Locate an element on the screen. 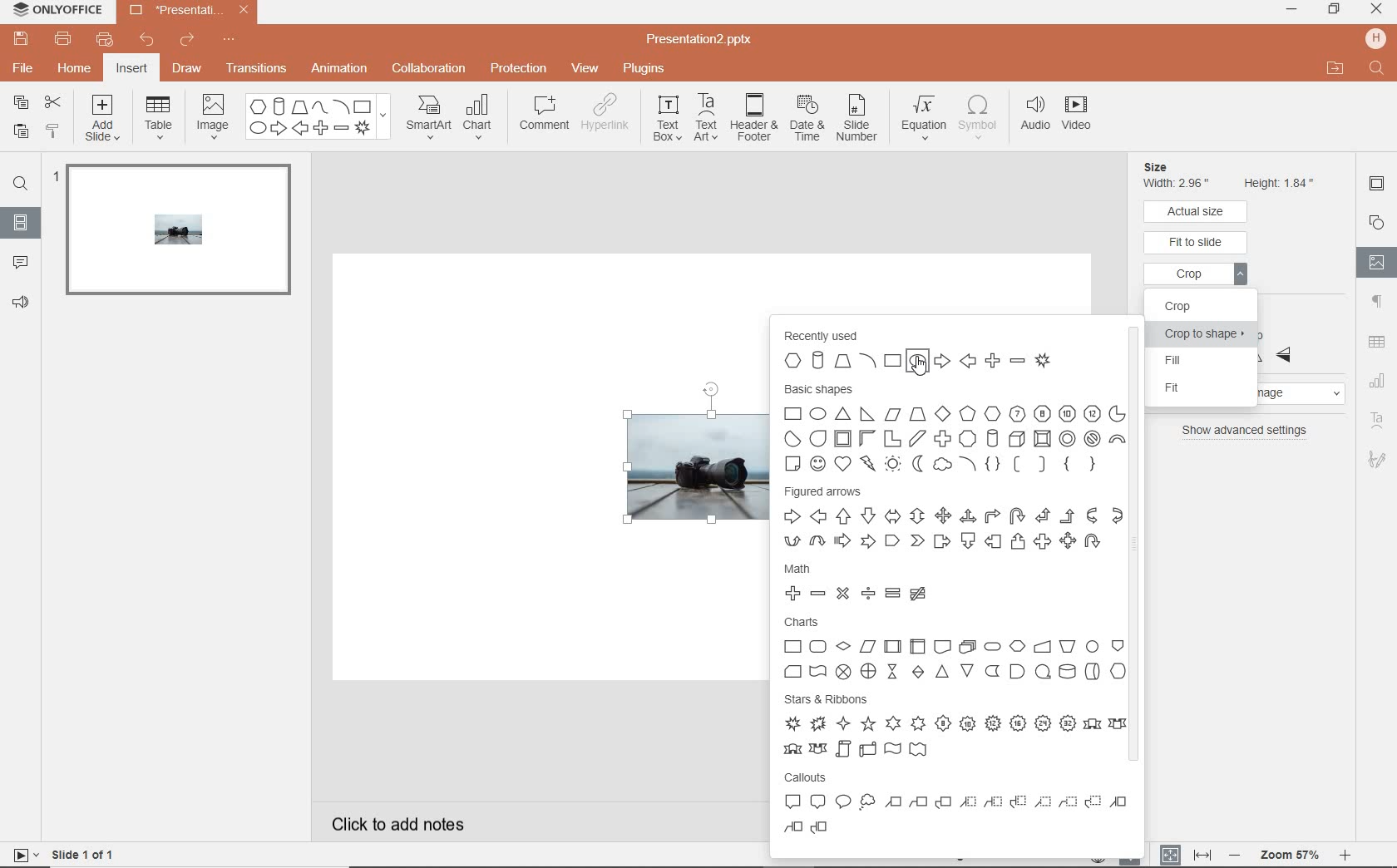  table is located at coordinates (161, 117).